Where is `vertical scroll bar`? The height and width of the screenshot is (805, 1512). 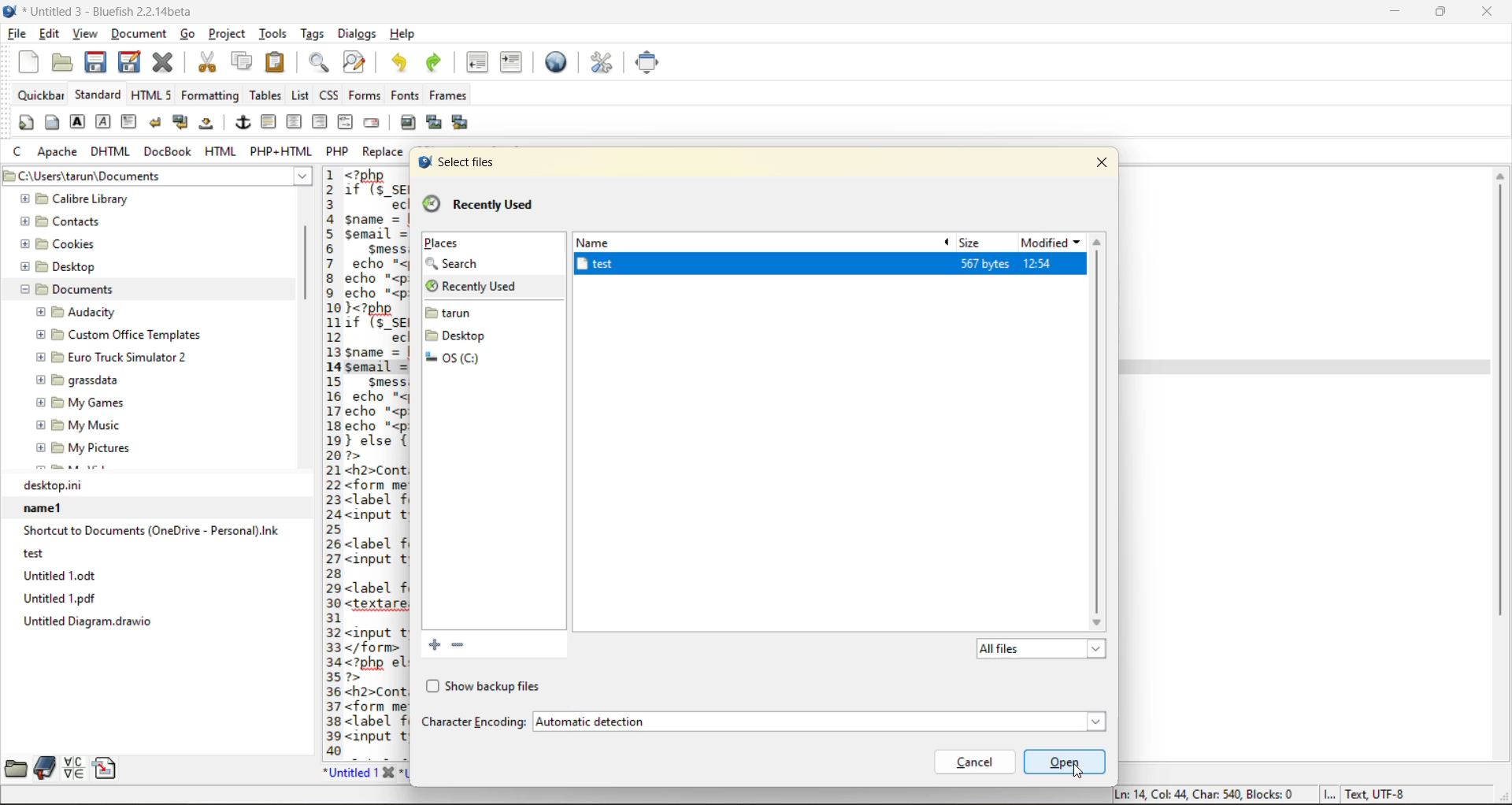 vertical scroll bar is located at coordinates (306, 255).